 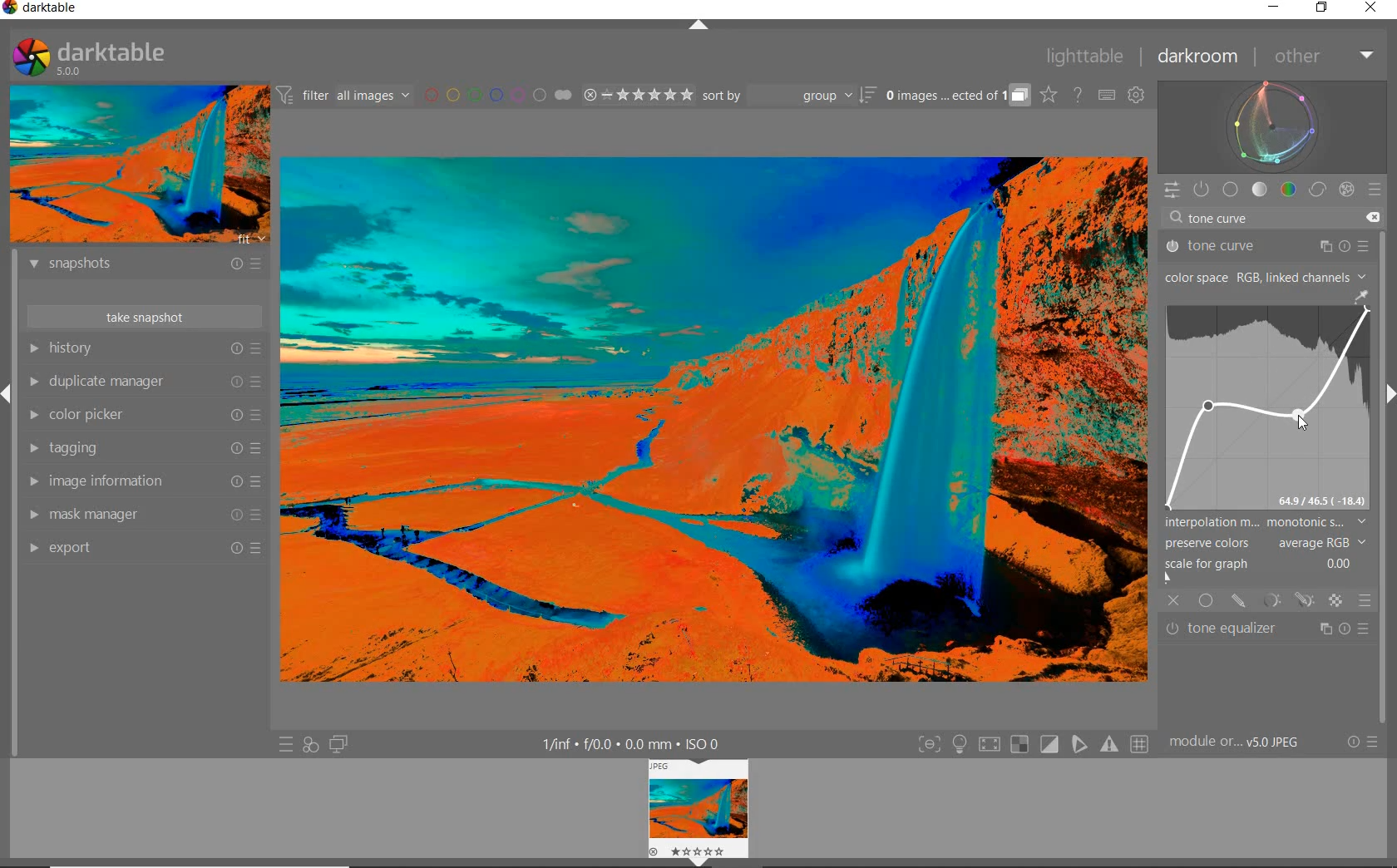 I want to click on CURSOR, so click(x=1211, y=407).